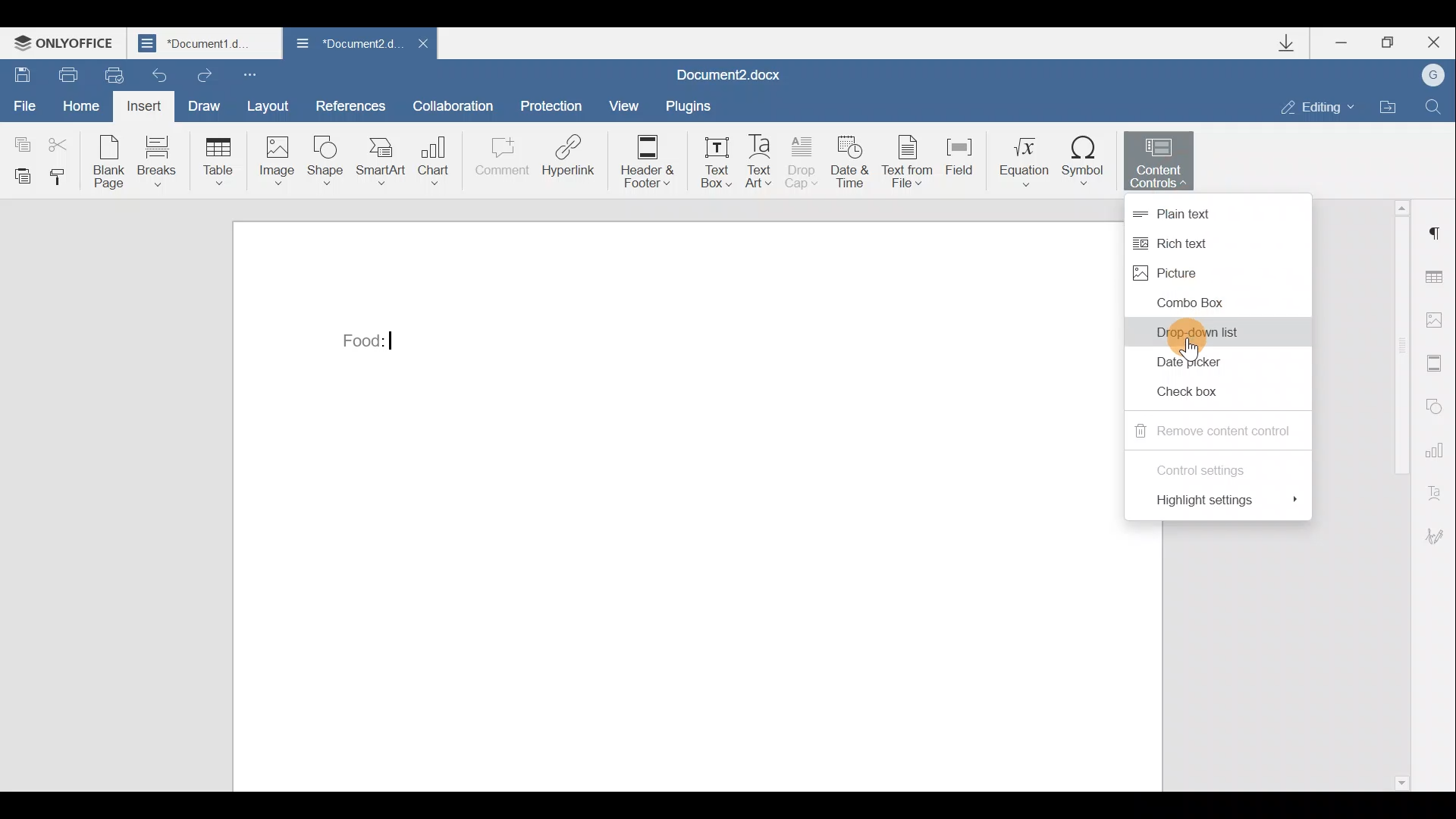 The image size is (1456, 819). What do you see at coordinates (1197, 303) in the screenshot?
I see `Combo box` at bounding box center [1197, 303].